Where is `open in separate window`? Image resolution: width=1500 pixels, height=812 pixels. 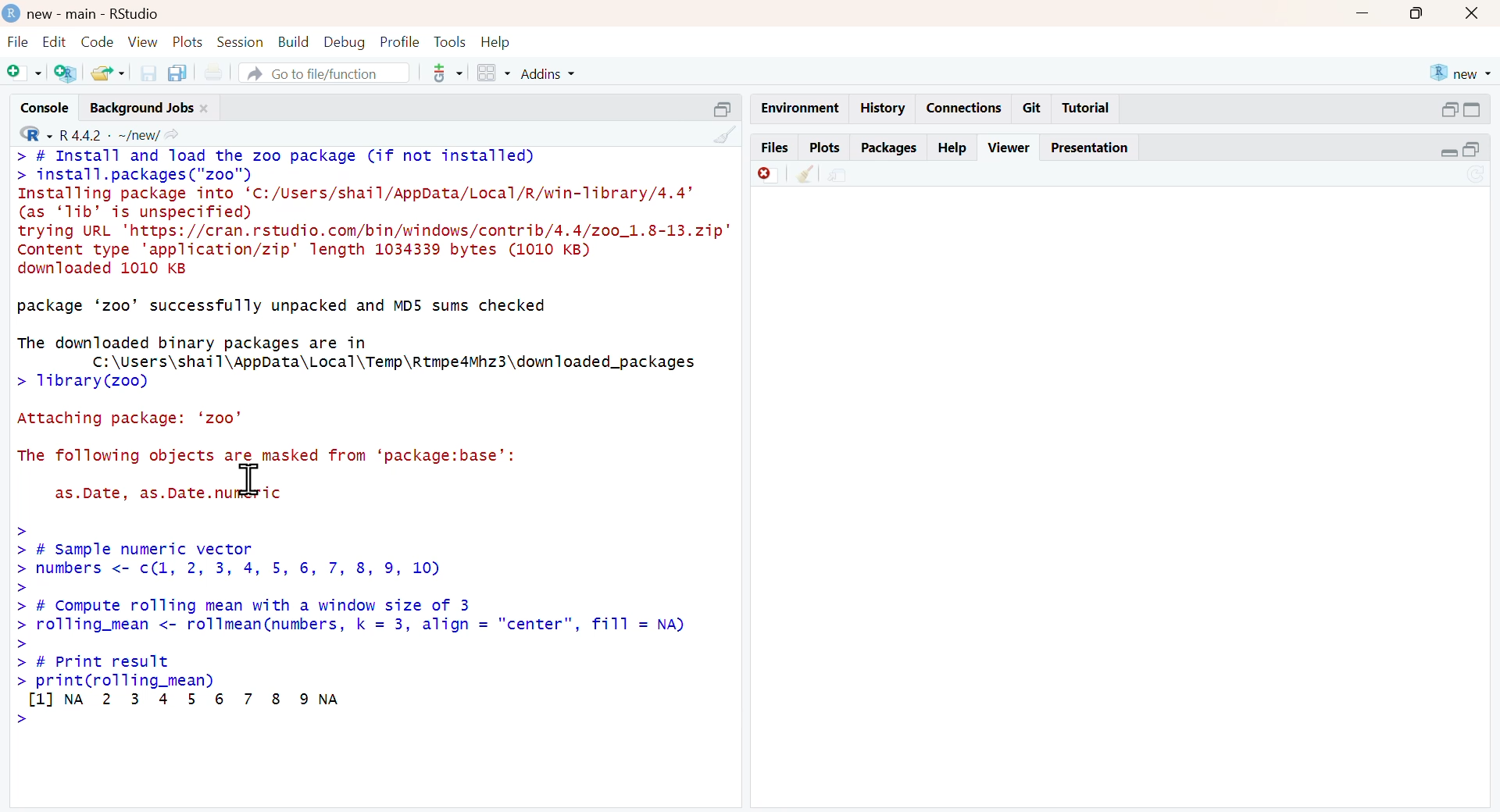
open in separate window is located at coordinates (724, 109).